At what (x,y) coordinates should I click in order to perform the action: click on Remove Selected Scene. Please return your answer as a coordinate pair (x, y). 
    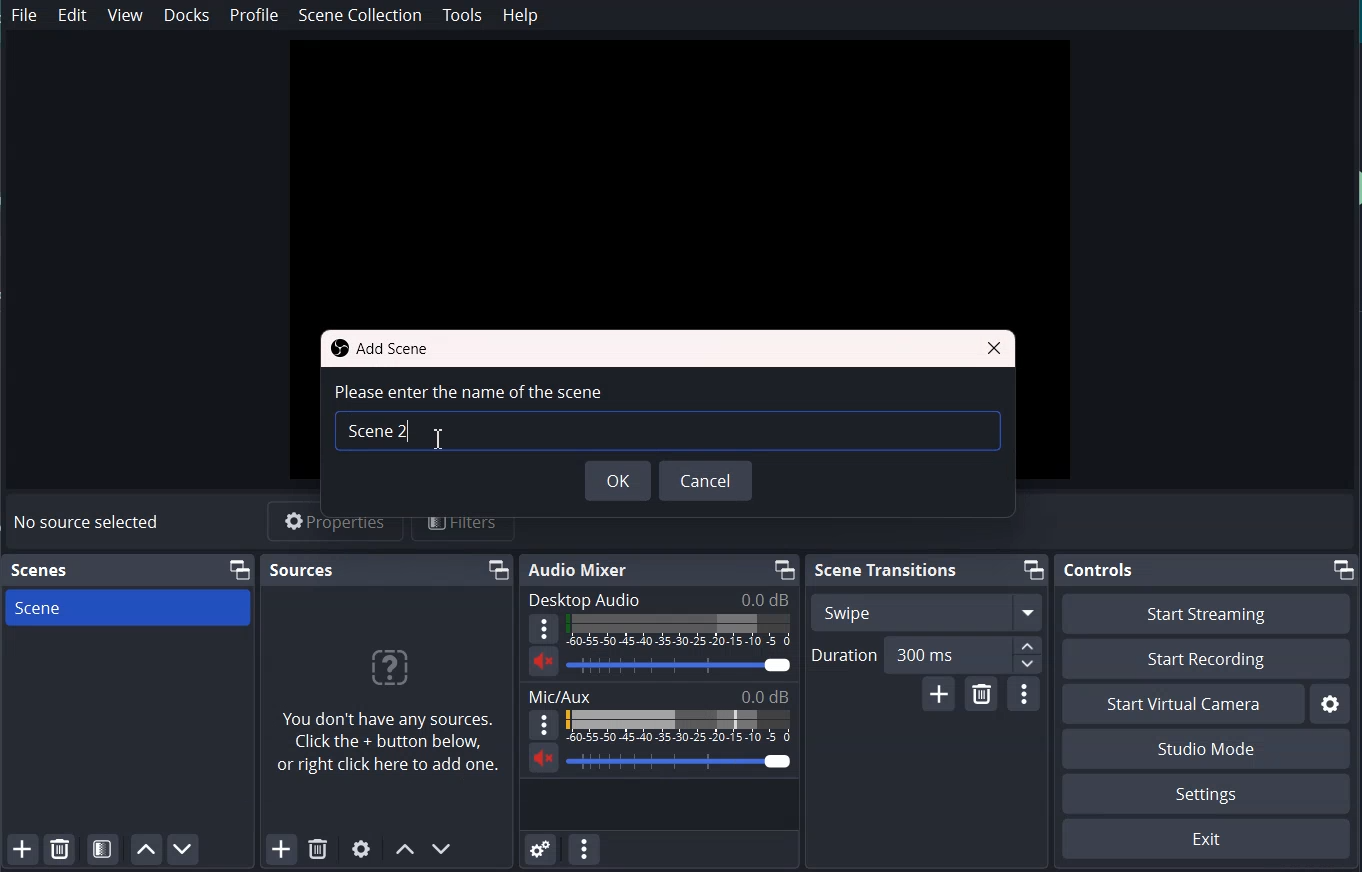
    Looking at the image, I should click on (60, 848).